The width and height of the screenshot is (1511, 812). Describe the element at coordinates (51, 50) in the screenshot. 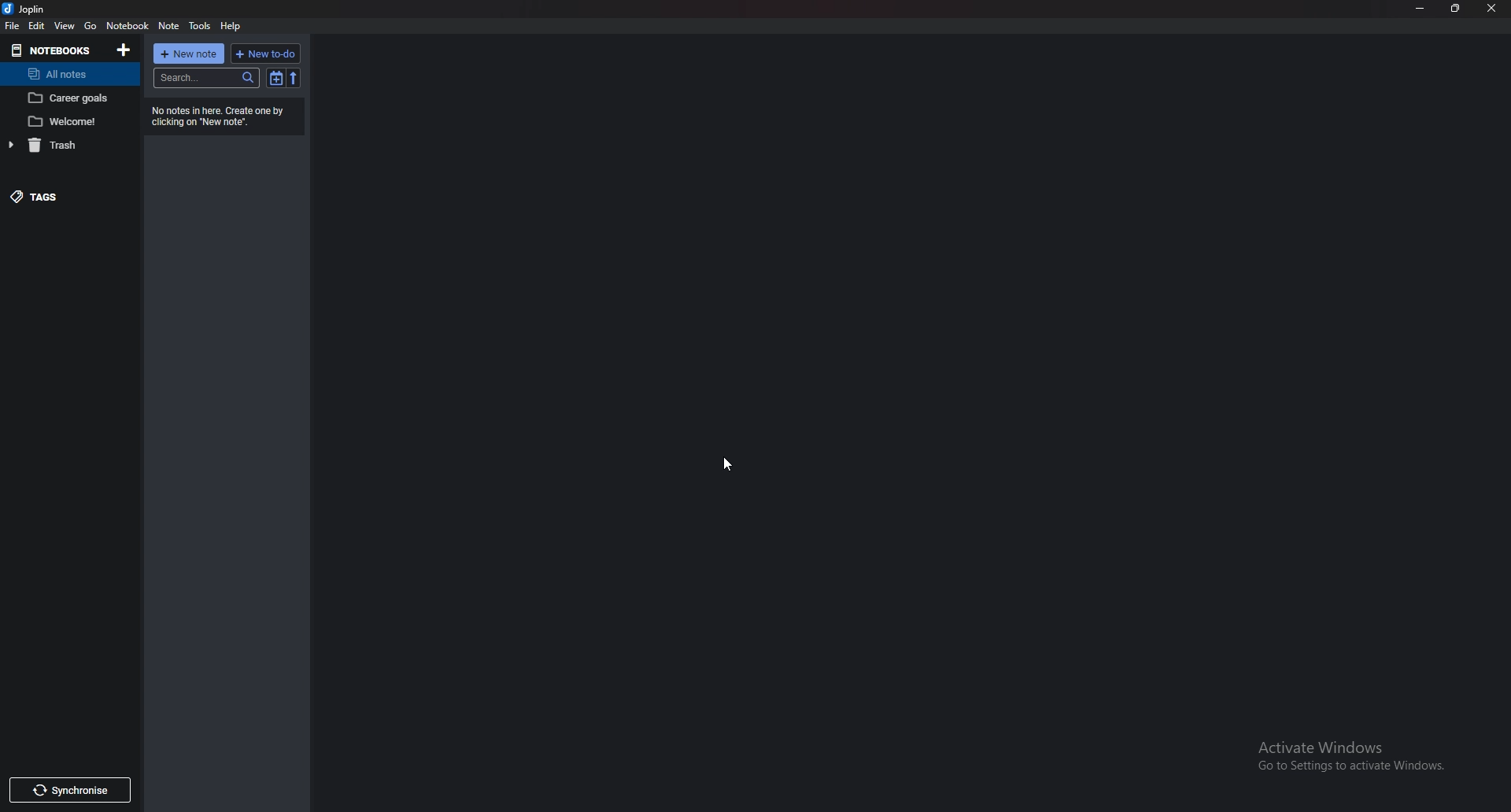

I see `notebooks` at that location.